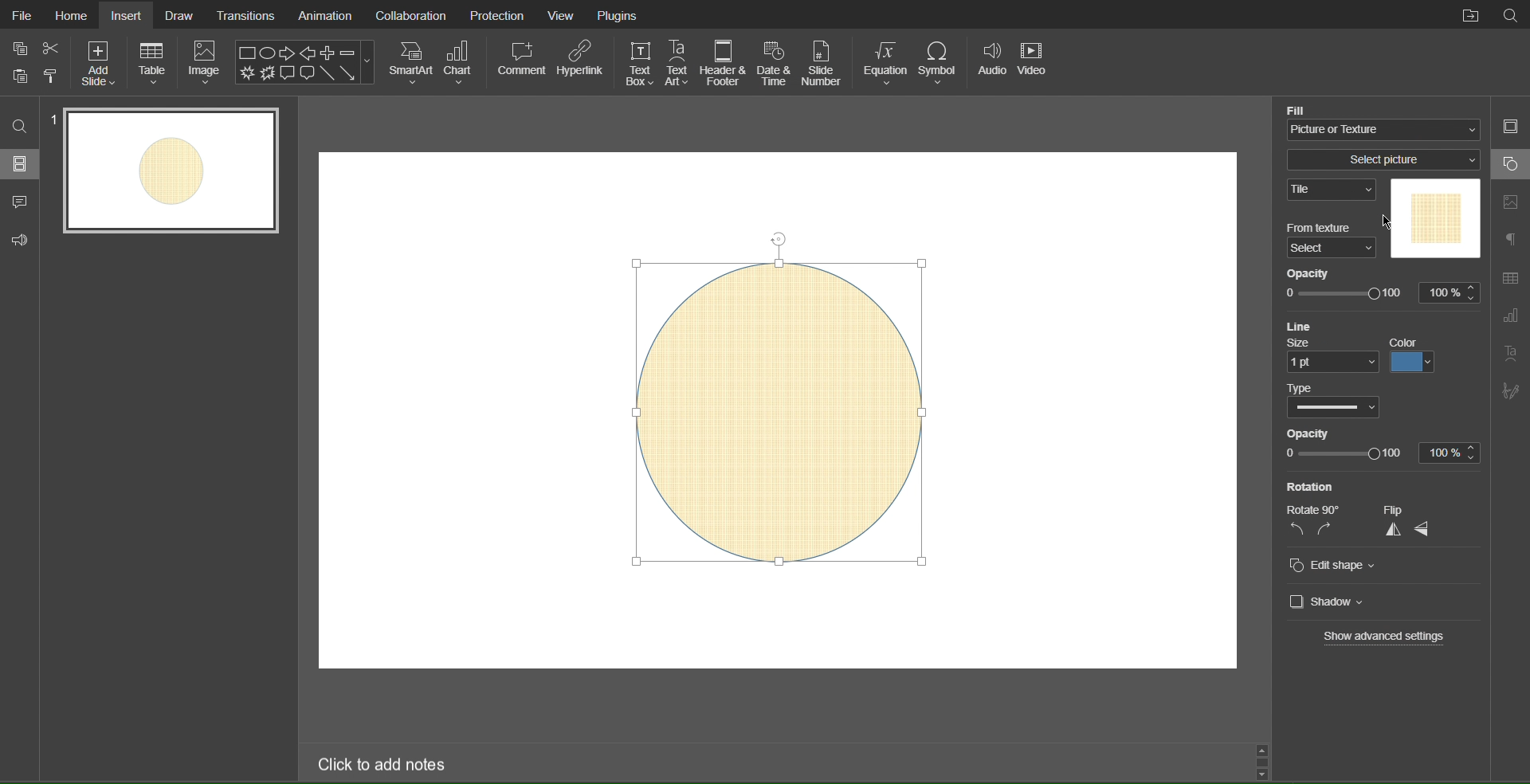 This screenshot has width=1530, height=784. I want to click on Text Box, so click(639, 62).